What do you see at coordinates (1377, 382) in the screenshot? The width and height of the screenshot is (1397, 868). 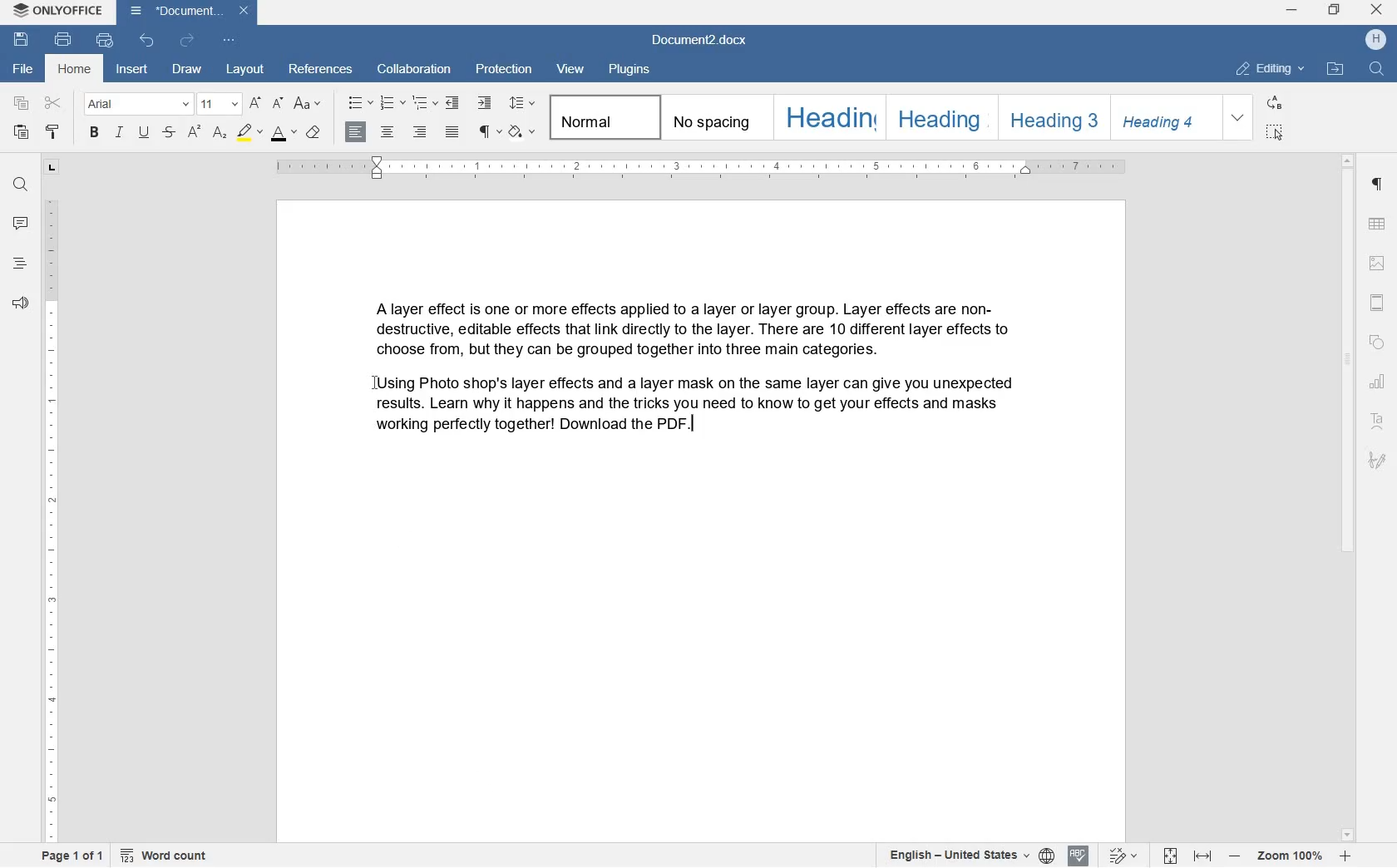 I see `CHART` at bounding box center [1377, 382].